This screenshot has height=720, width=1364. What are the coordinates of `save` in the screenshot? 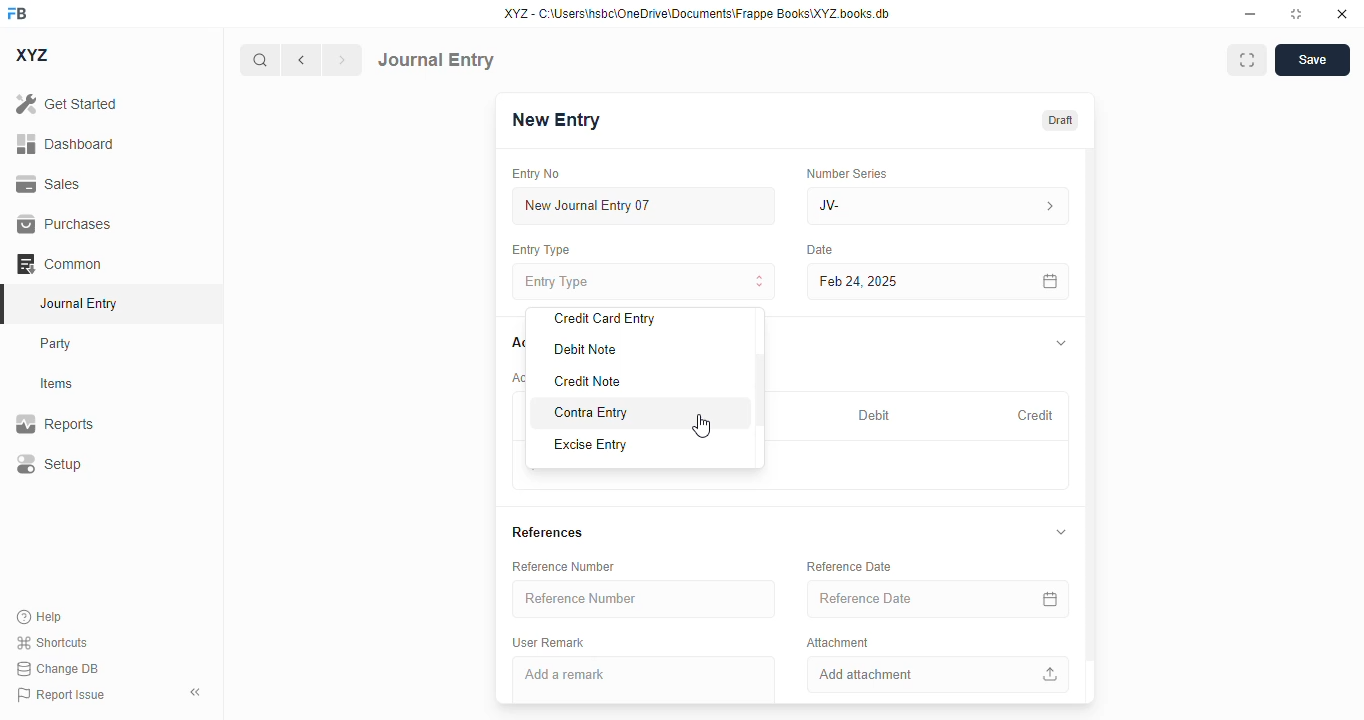 It's located at (1312, 60).